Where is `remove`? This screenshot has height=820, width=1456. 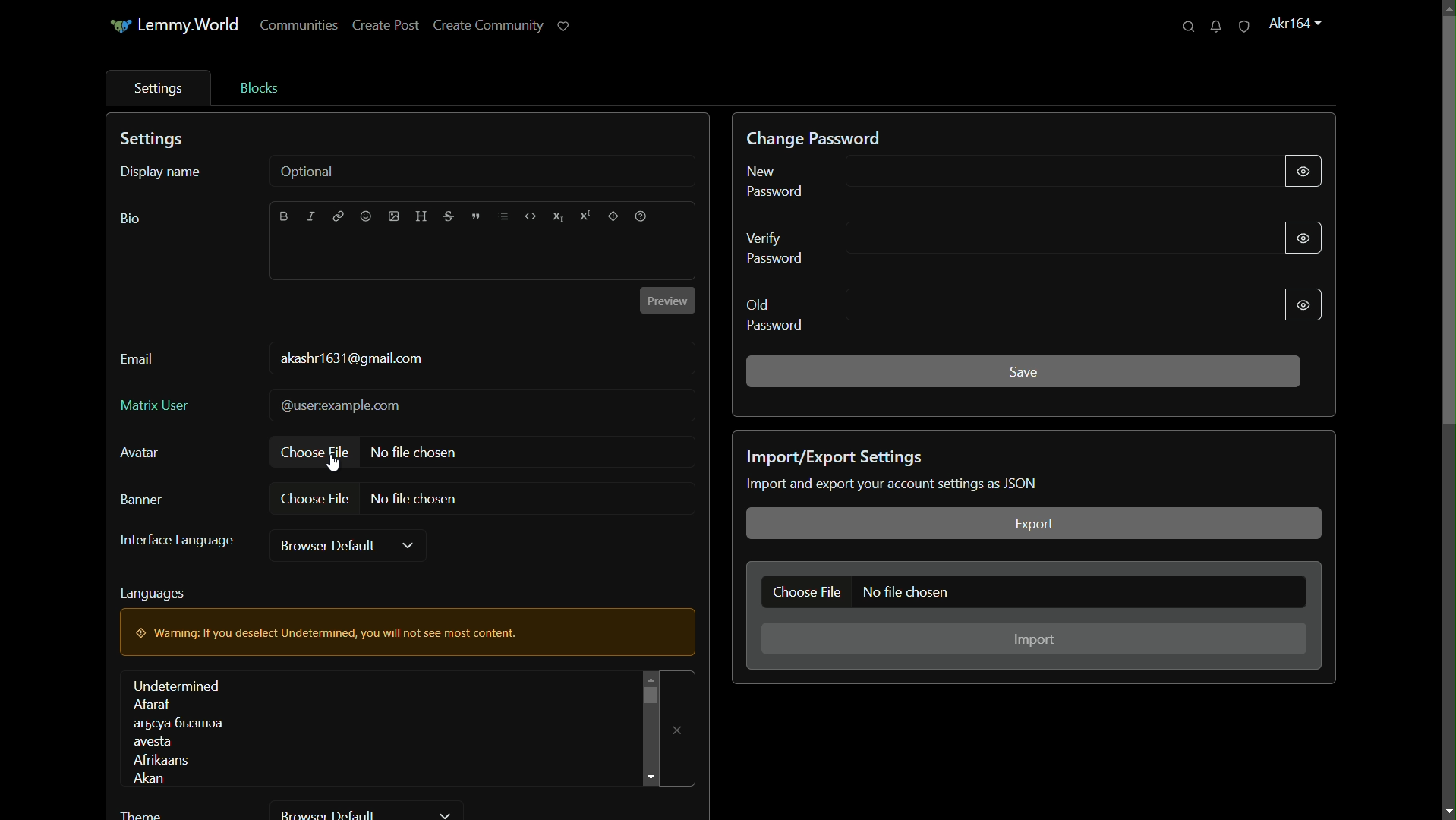
remove is located at coordinates (679, 730).